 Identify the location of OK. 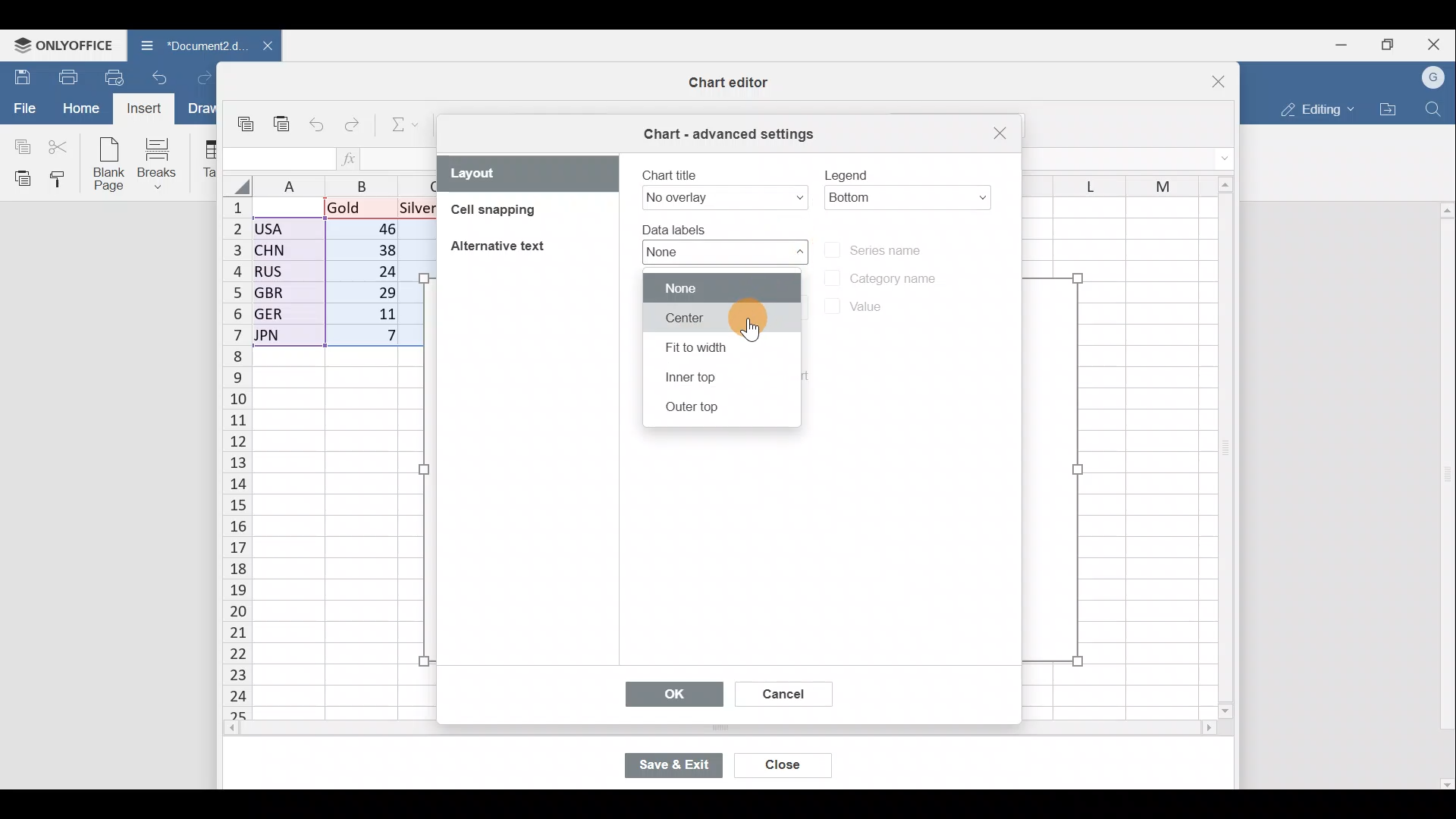
(673, 692).